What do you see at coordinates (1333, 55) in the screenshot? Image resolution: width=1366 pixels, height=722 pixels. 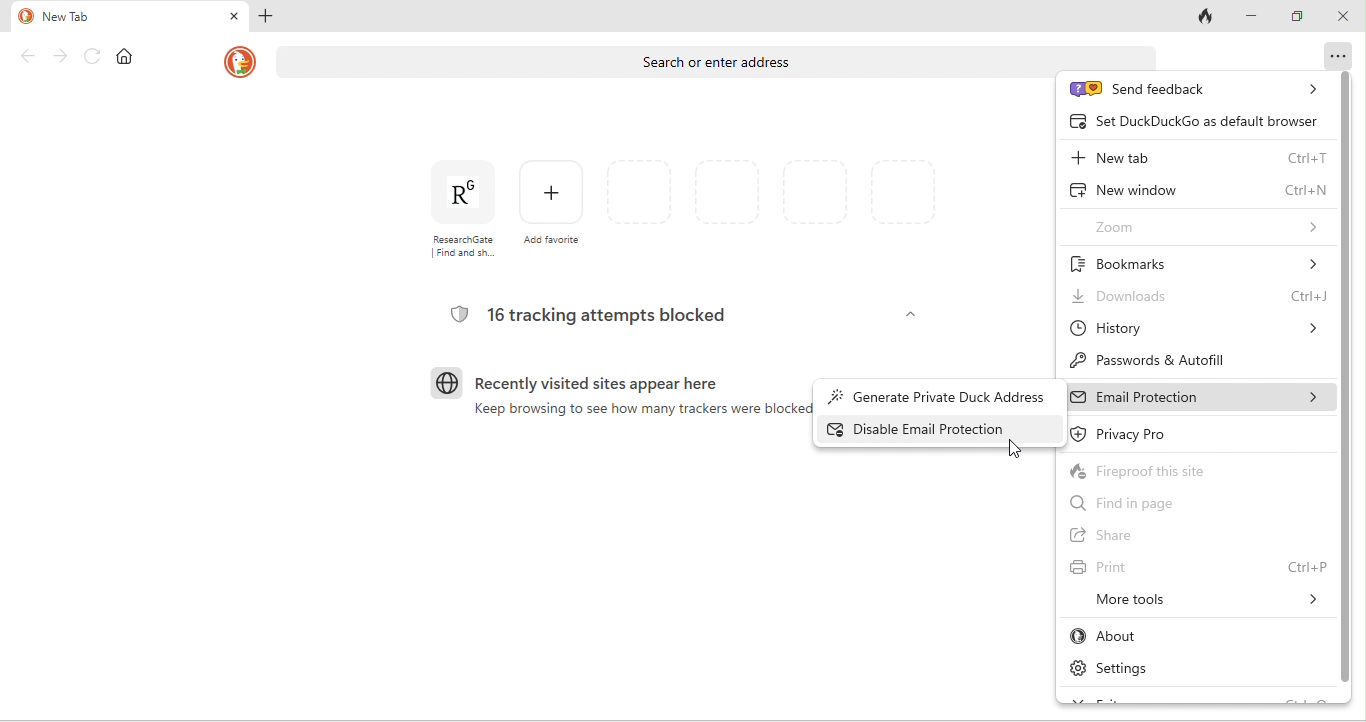 I see `options` at bounding box center [1333, 55].